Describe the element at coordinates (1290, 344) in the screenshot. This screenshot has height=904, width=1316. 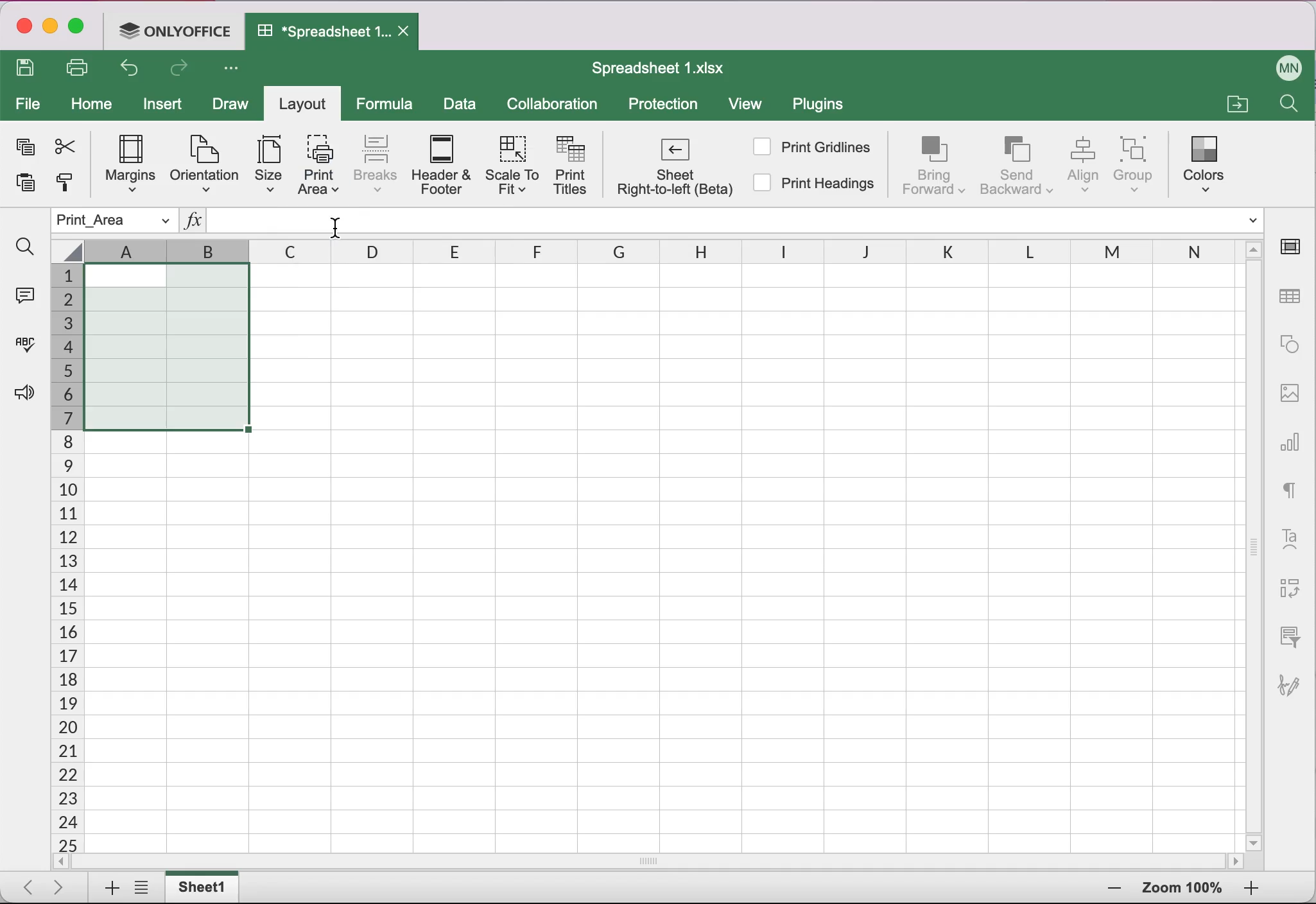
I see `shape` at that location.